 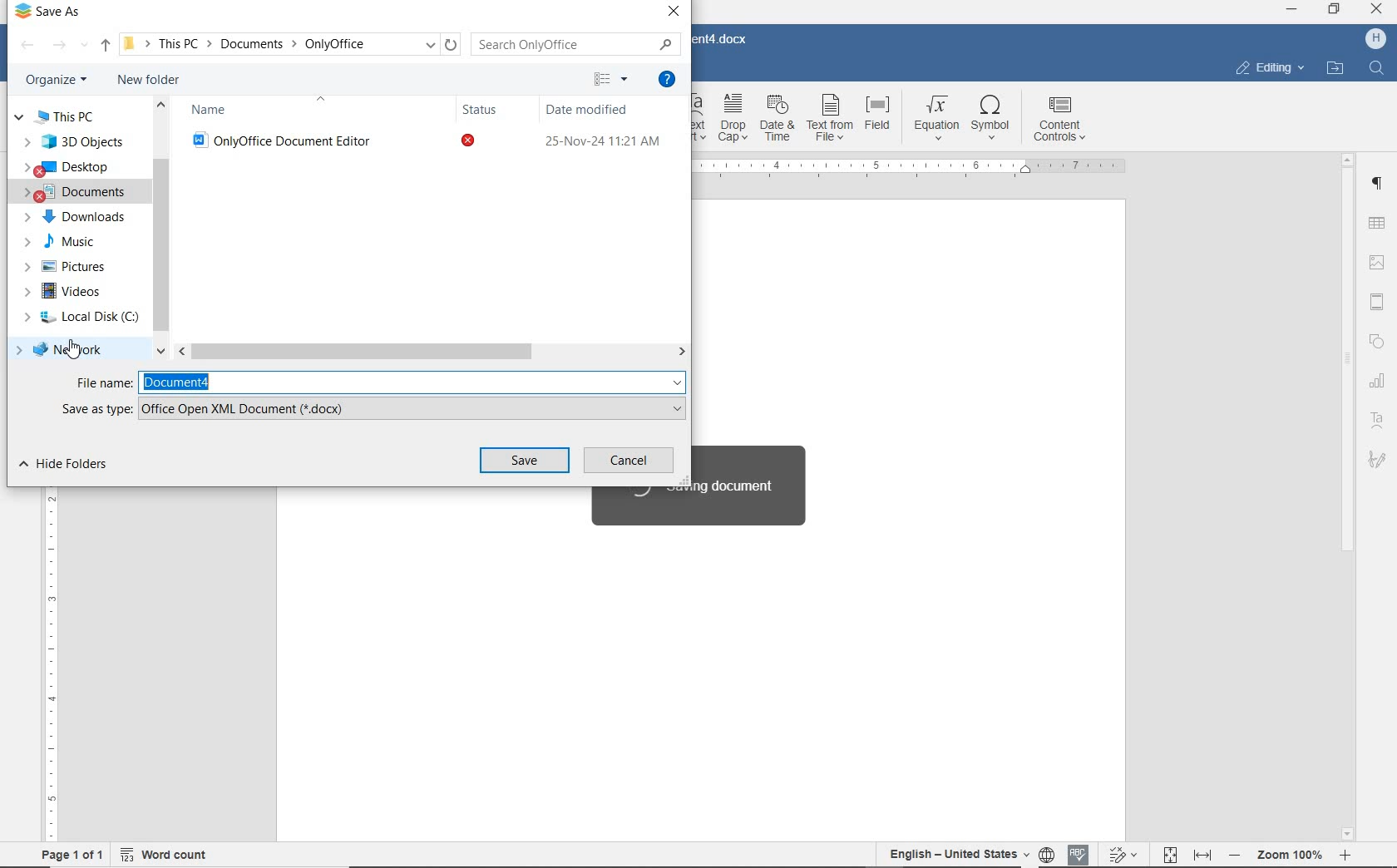 I want to click on MINIMIZE, so click(x=1291, y=10).